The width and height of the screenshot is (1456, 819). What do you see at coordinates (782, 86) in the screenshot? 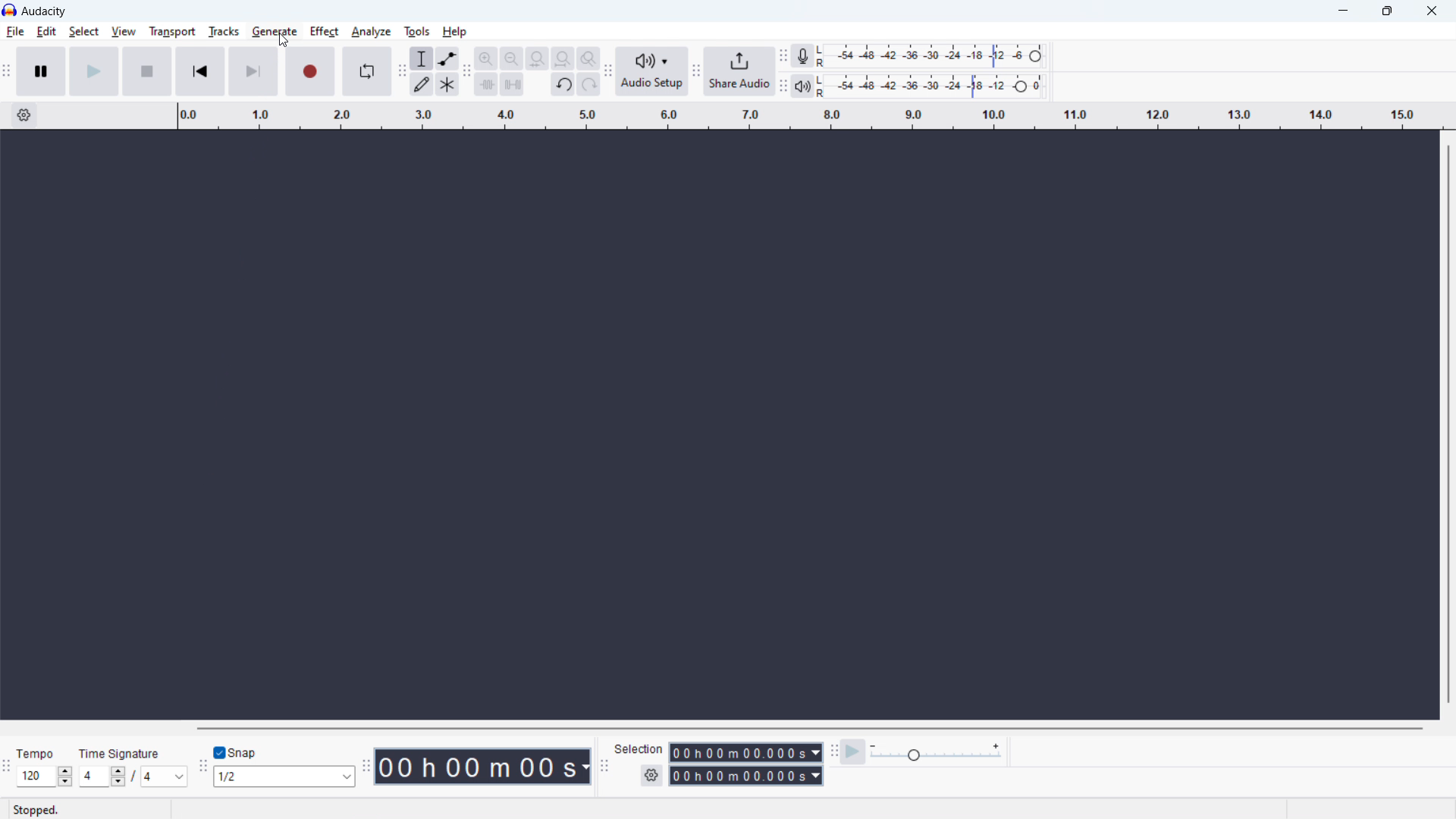
I see `playback meter toolbar` at bounding box center [782, 86].